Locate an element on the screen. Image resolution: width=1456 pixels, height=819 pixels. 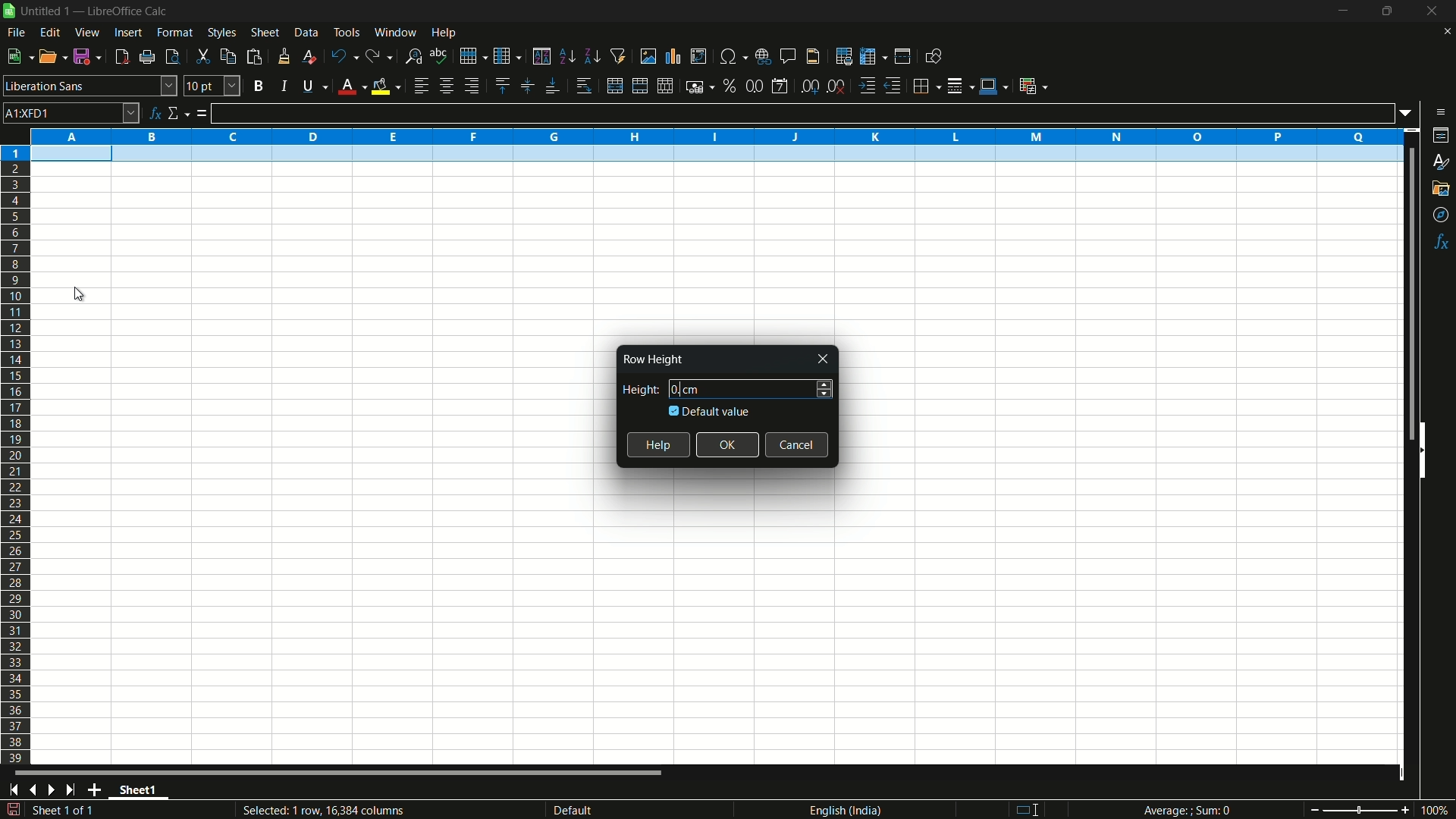
scroll bar is located at coordinates (340, 775).